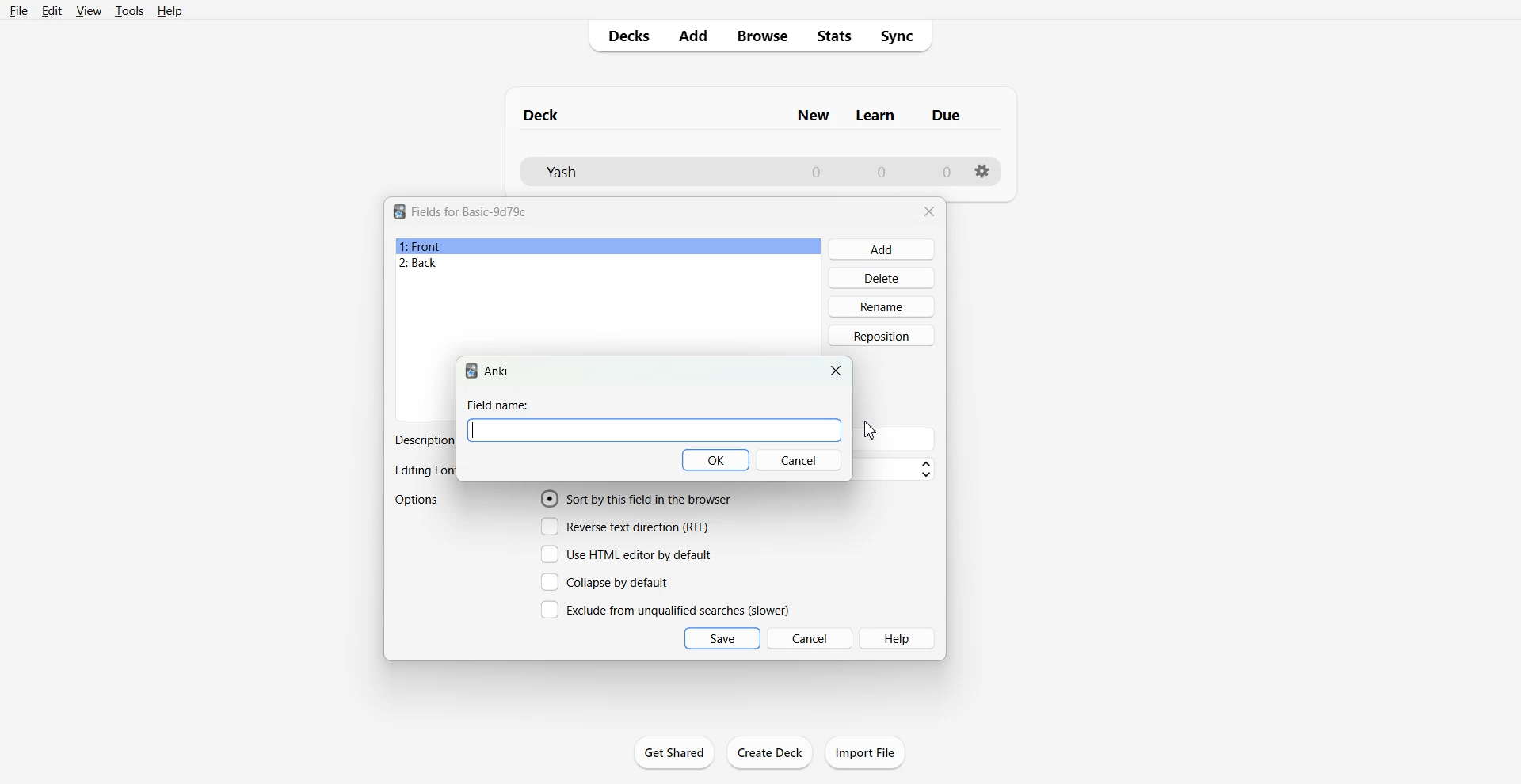 The height and width of the screenshot is (784, 1521). What do you see at coordinates (422, 440) in the screenshot?
I see `Text` at bounding box center [422, 440].